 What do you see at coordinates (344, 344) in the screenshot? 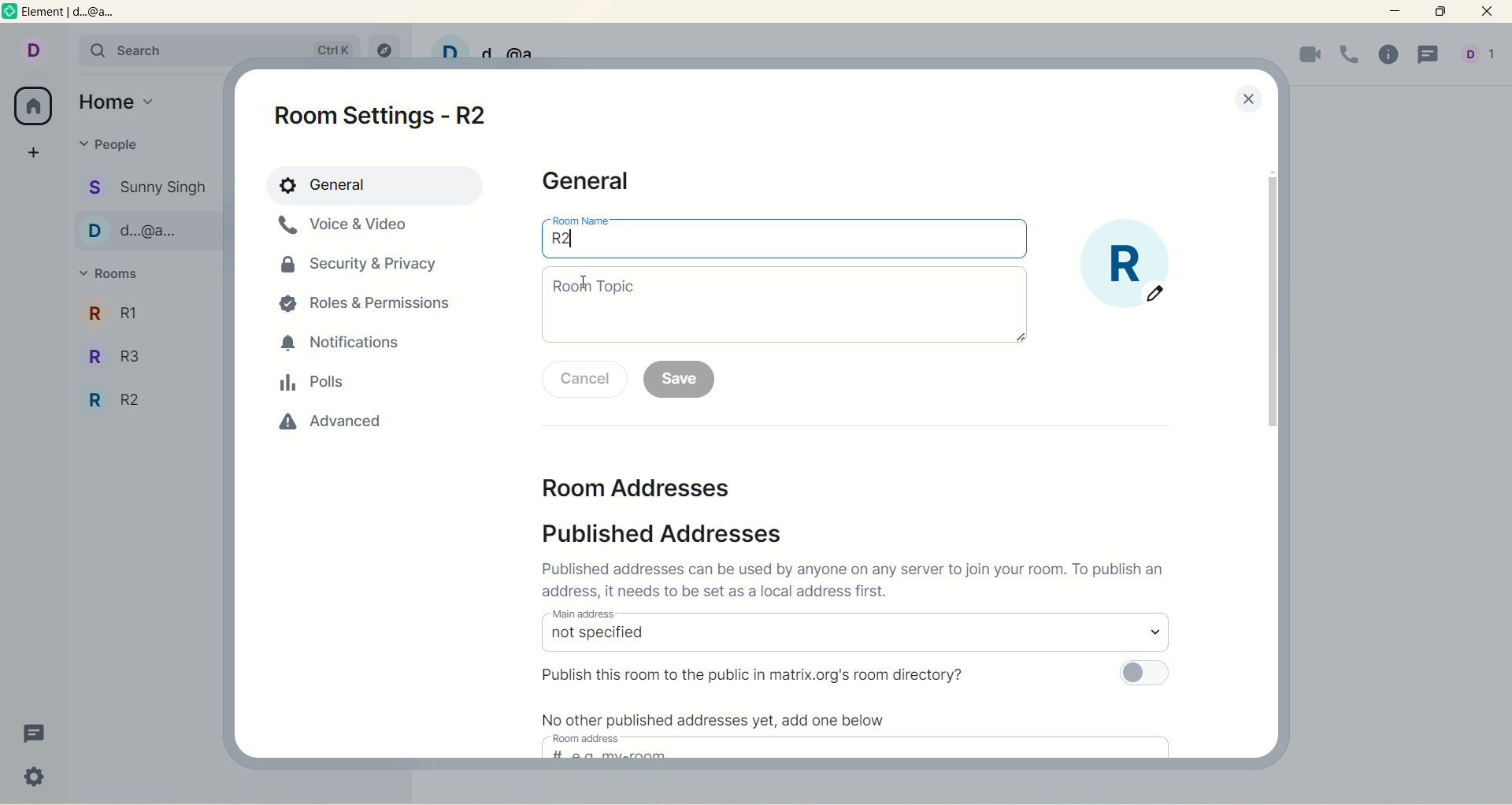
I see `notification` at bounding box center [344, 344].